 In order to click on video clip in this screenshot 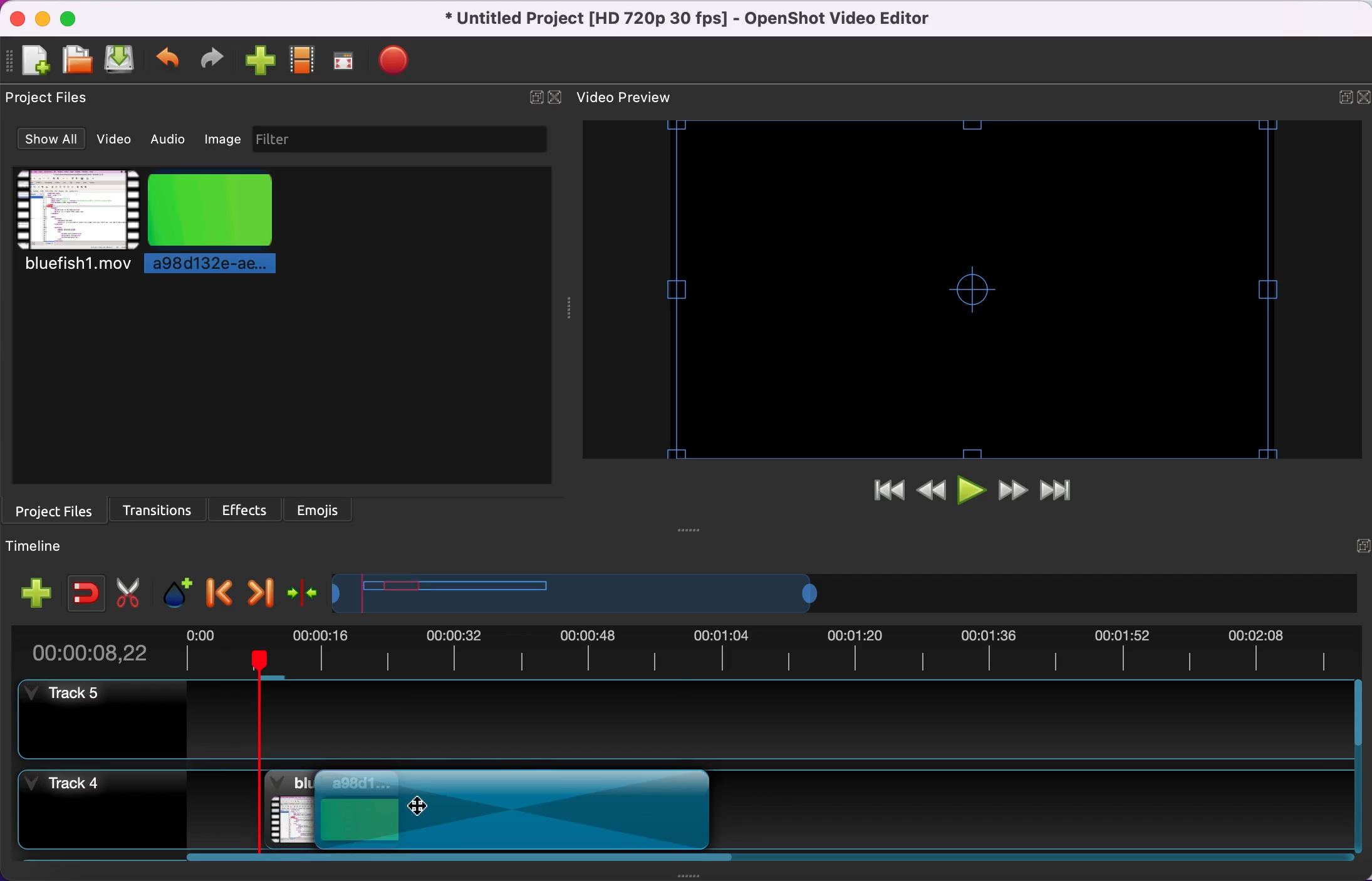, I will do `click(273, 810)`.